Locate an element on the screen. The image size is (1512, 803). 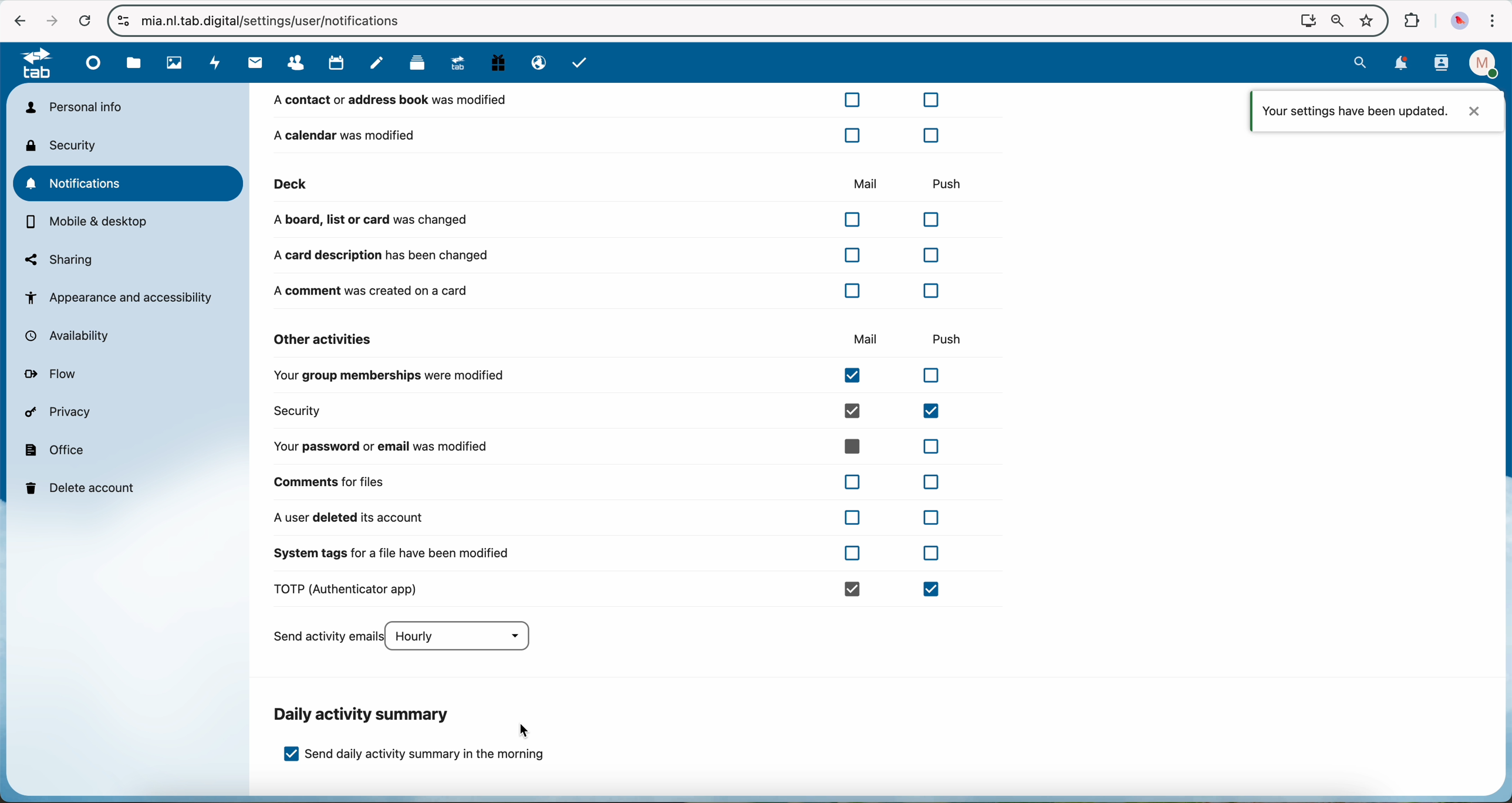
TOTP (authenticator app) is located at coordinates (612, 590).